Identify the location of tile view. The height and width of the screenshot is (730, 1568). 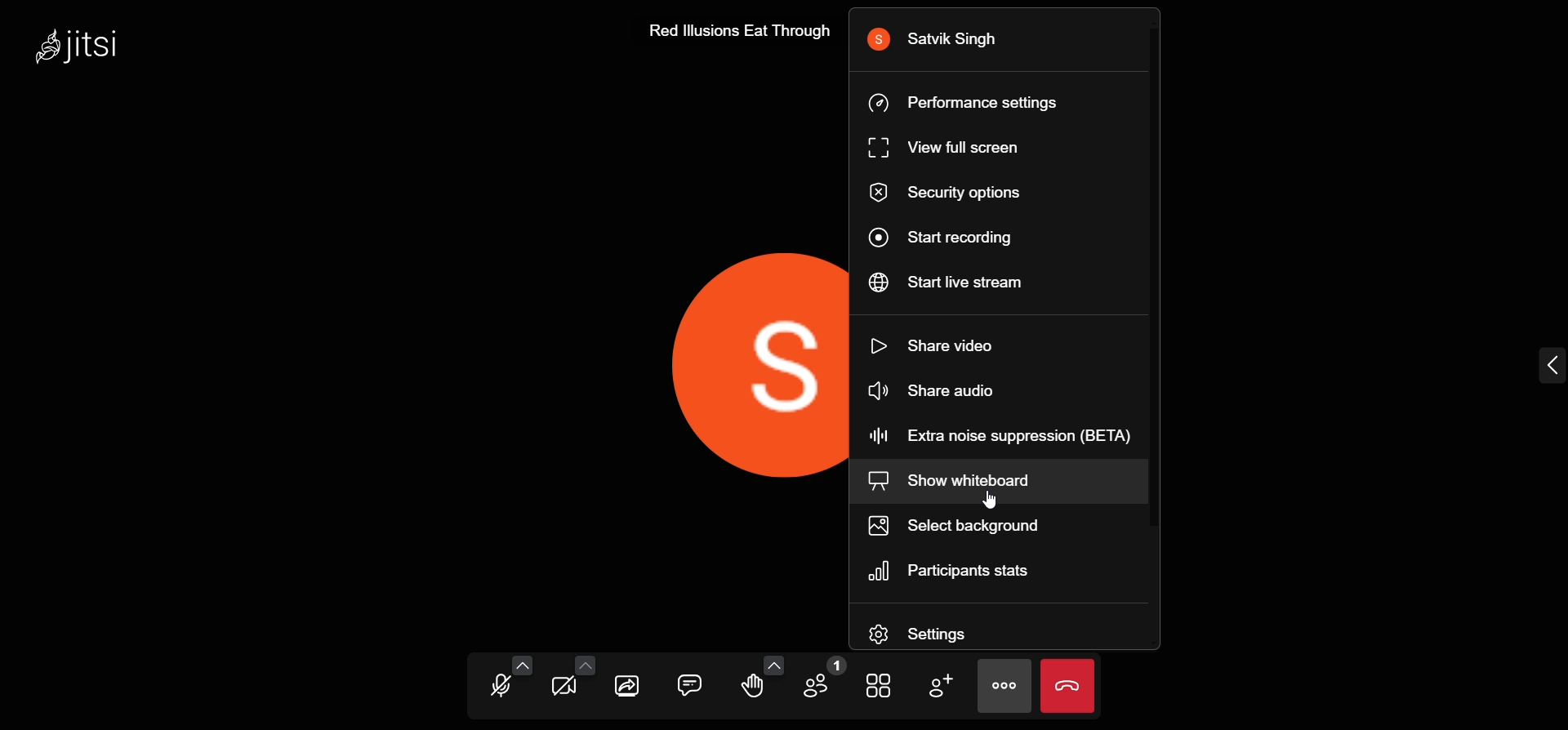
(881, 684).